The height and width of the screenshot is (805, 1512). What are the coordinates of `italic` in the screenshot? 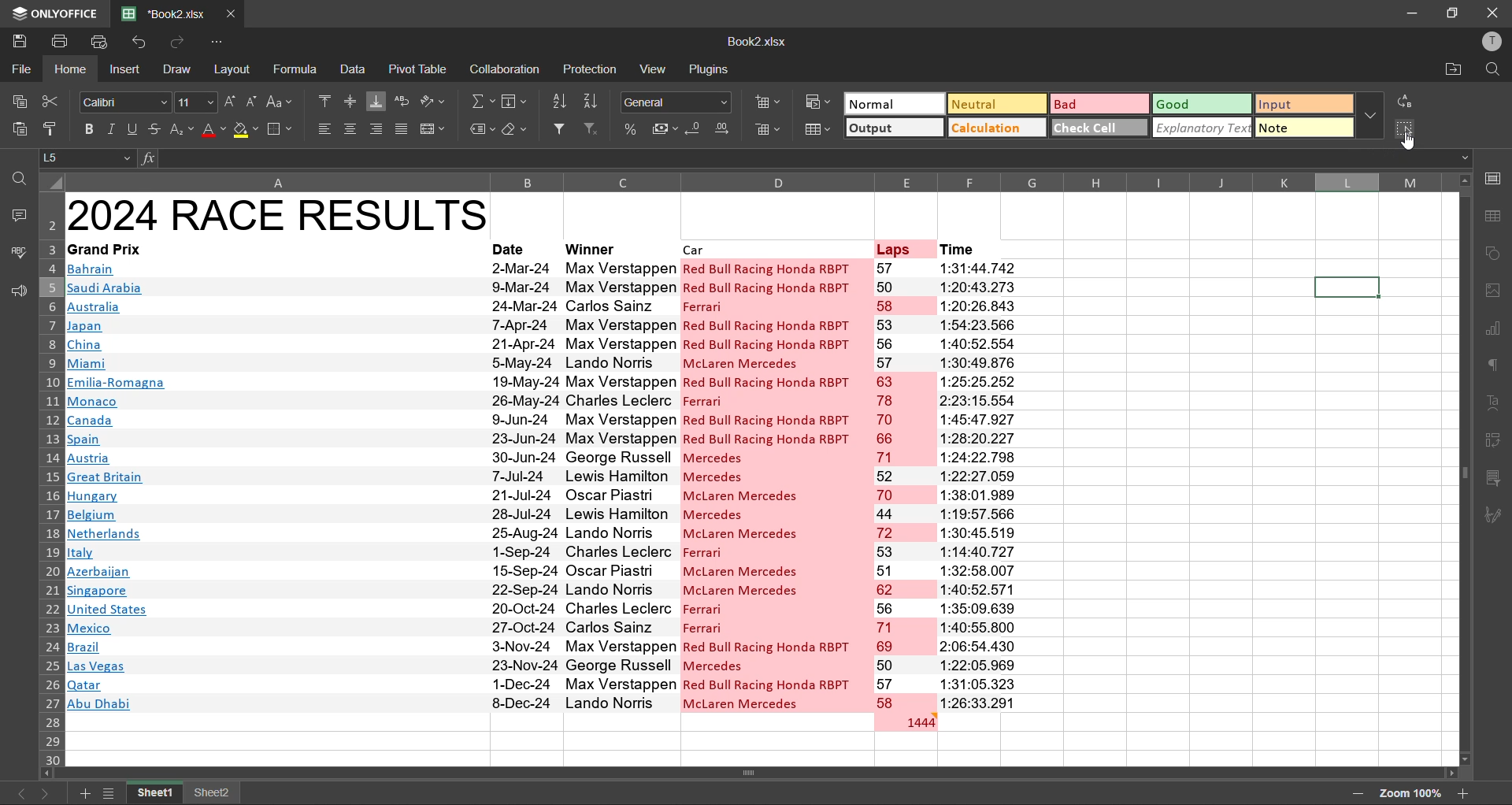 It's located at (113, 128).